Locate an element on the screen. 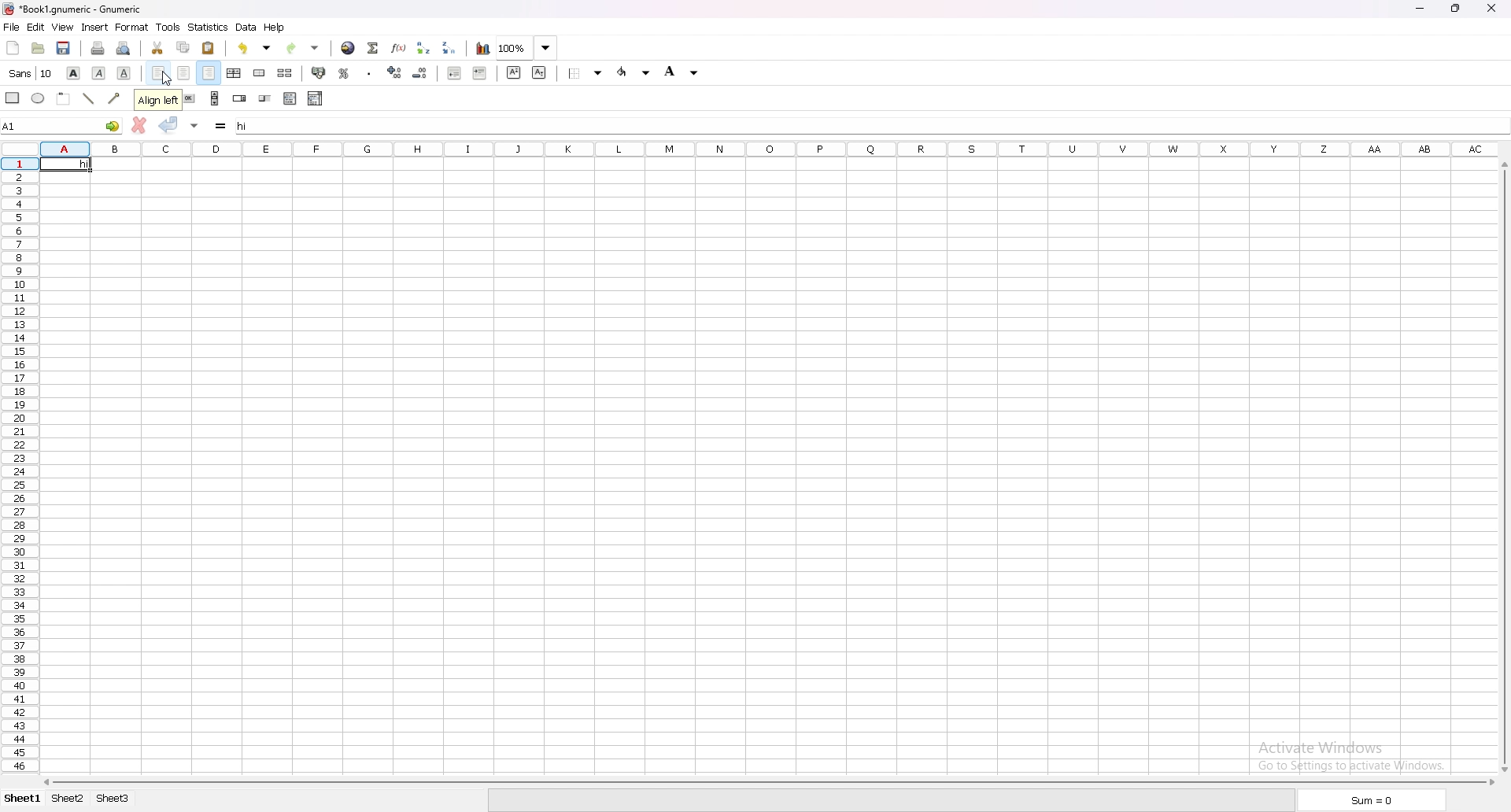 The height and width of the screenshot is (812, 1511). resize is located at coordinates (1457, 9).